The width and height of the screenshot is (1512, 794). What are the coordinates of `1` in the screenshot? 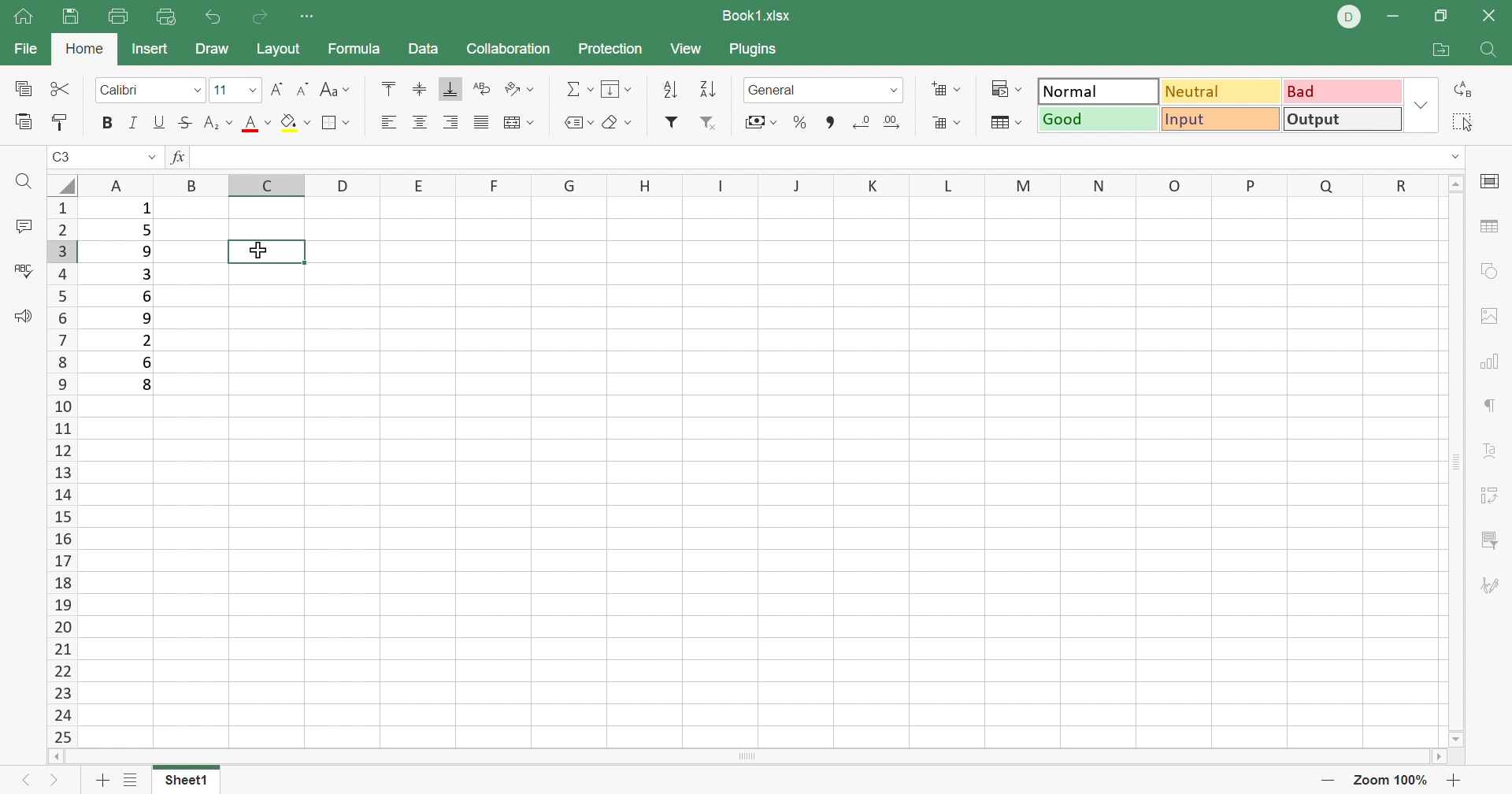 It's located at (147, 210).